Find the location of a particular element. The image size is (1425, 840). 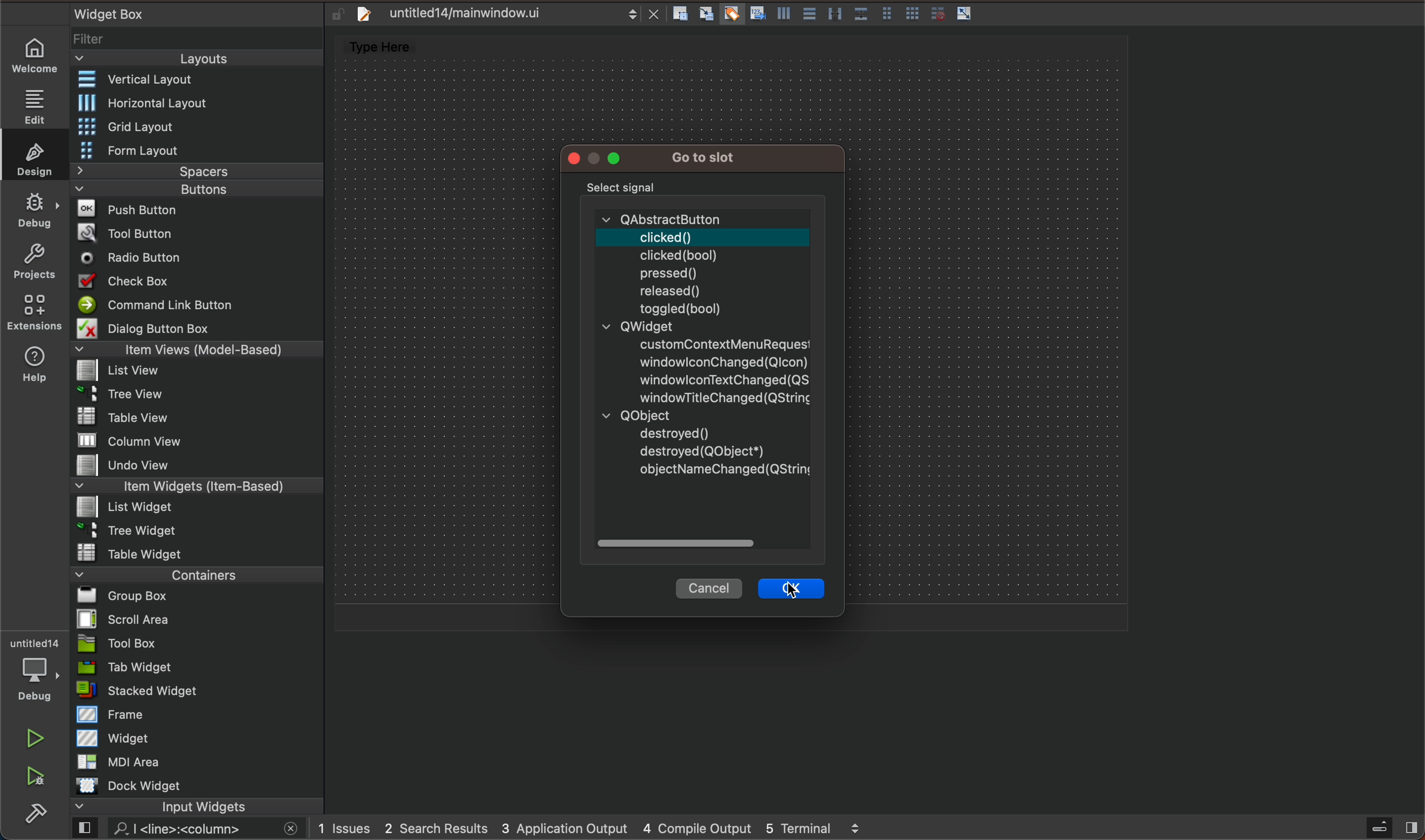

spacers is located at coordinates (200, 172).